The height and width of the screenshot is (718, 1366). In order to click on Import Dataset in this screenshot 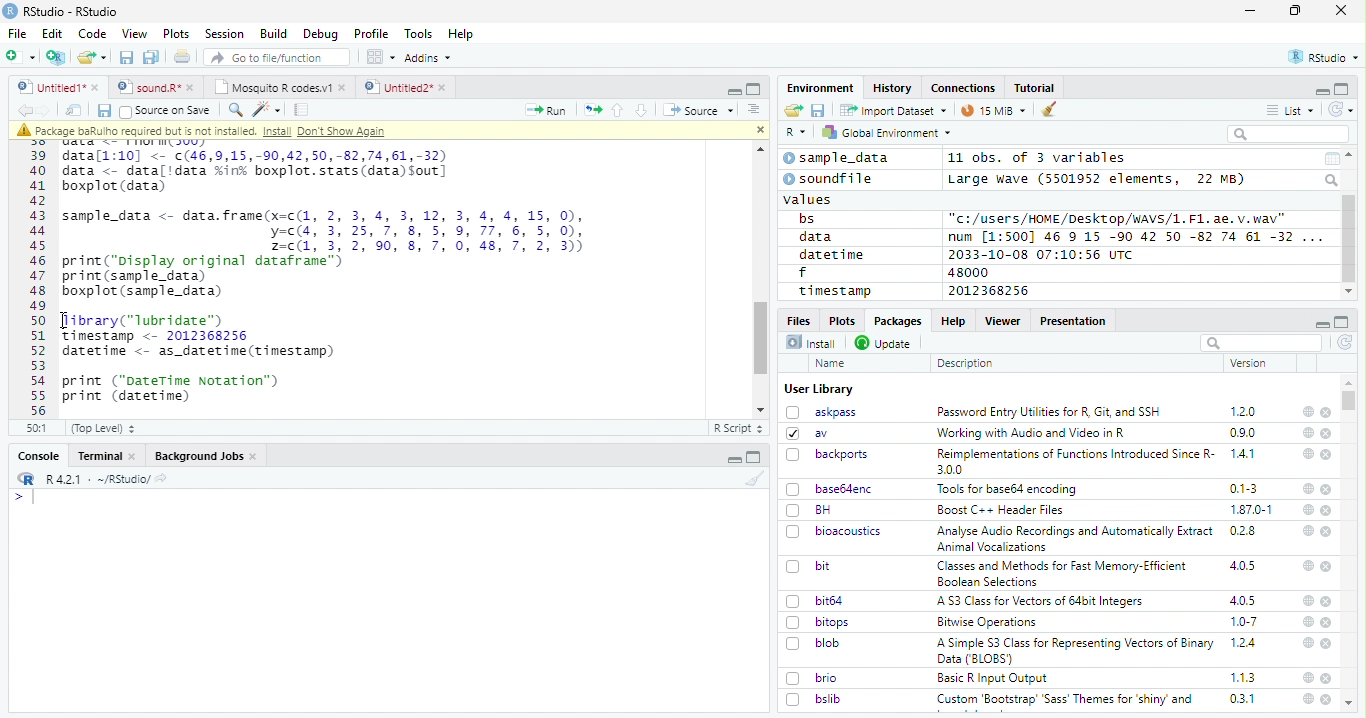, I will do `click(893, 110)`.